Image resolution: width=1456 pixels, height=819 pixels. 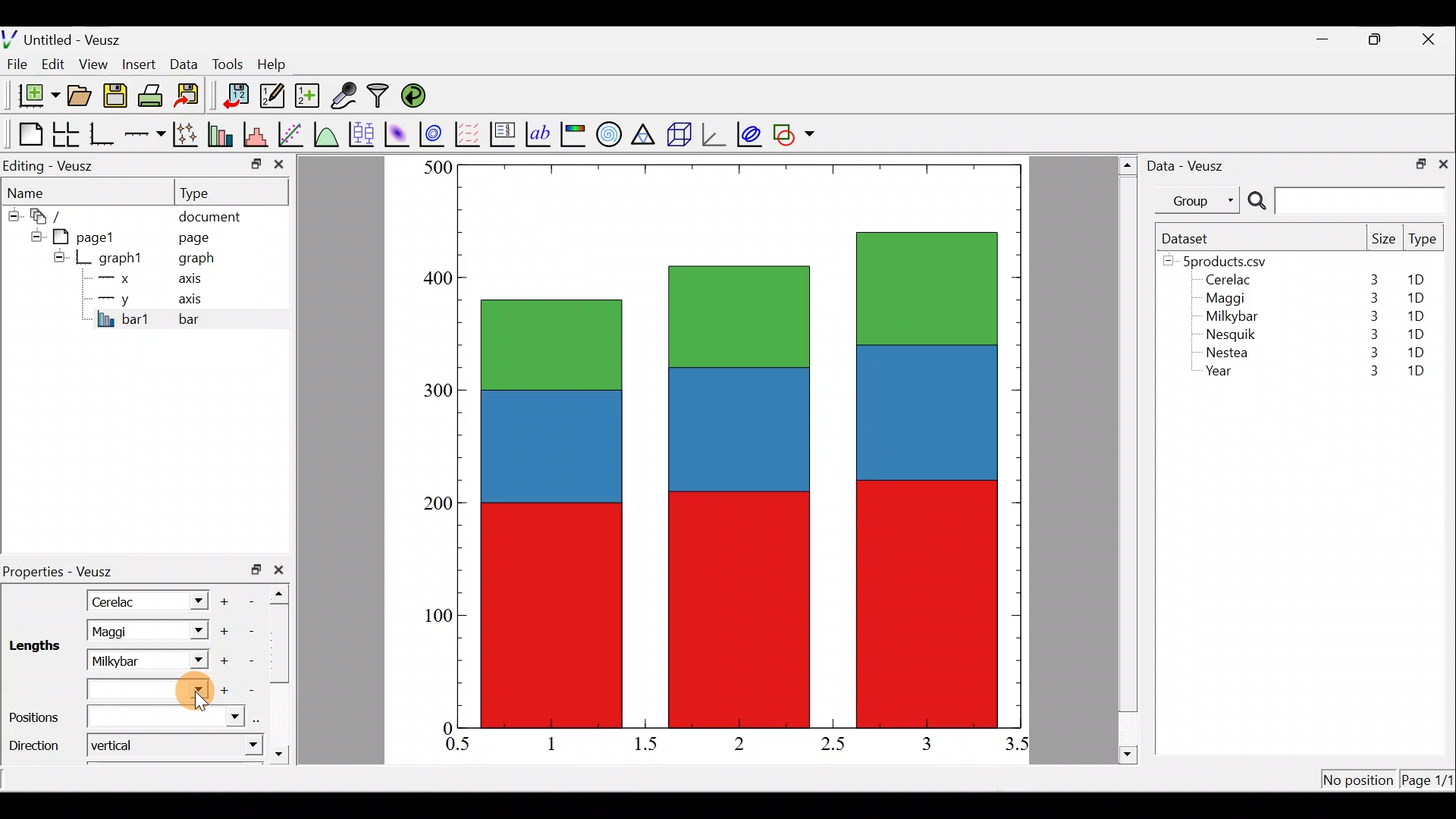 What do you see at coordinates (192, 659) in the screenshot?
I see `Lengths dropdown` at bounding box center [192, 659].